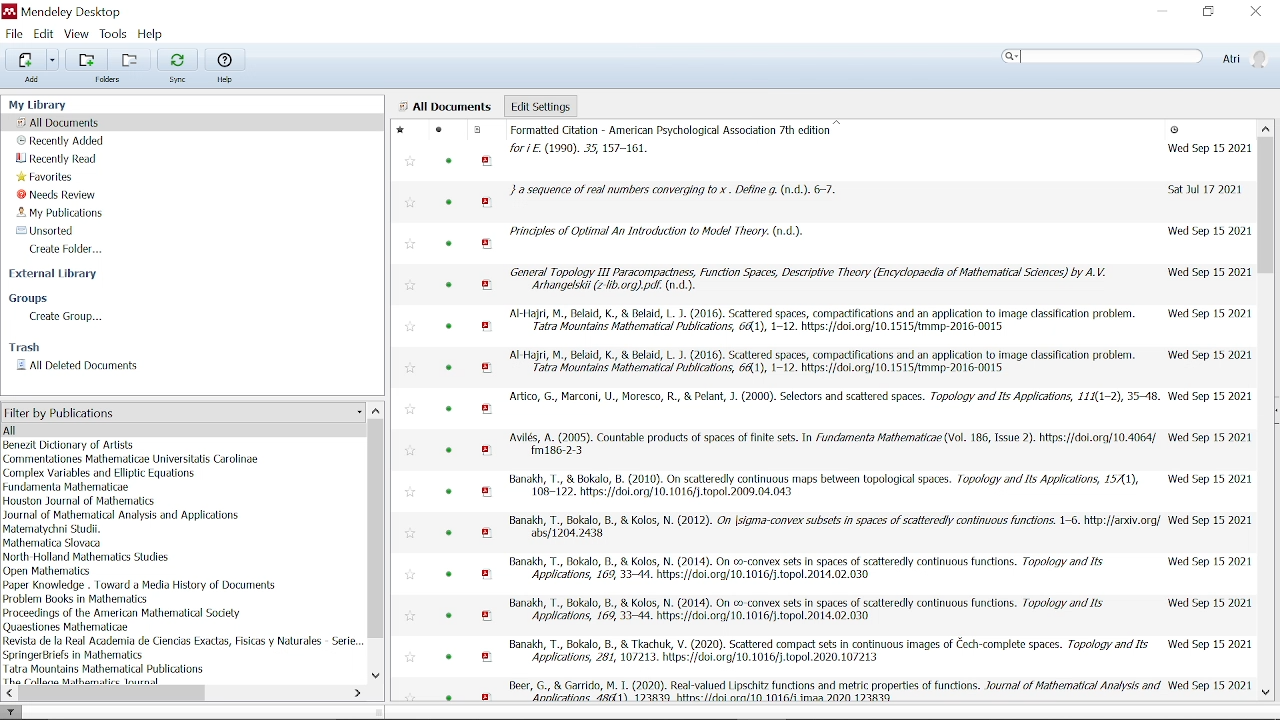 The image size is (1280, 720). What do you see at coordinates (448, 656) in the screenshot?
I see `status` at bounding box center [448, 656].